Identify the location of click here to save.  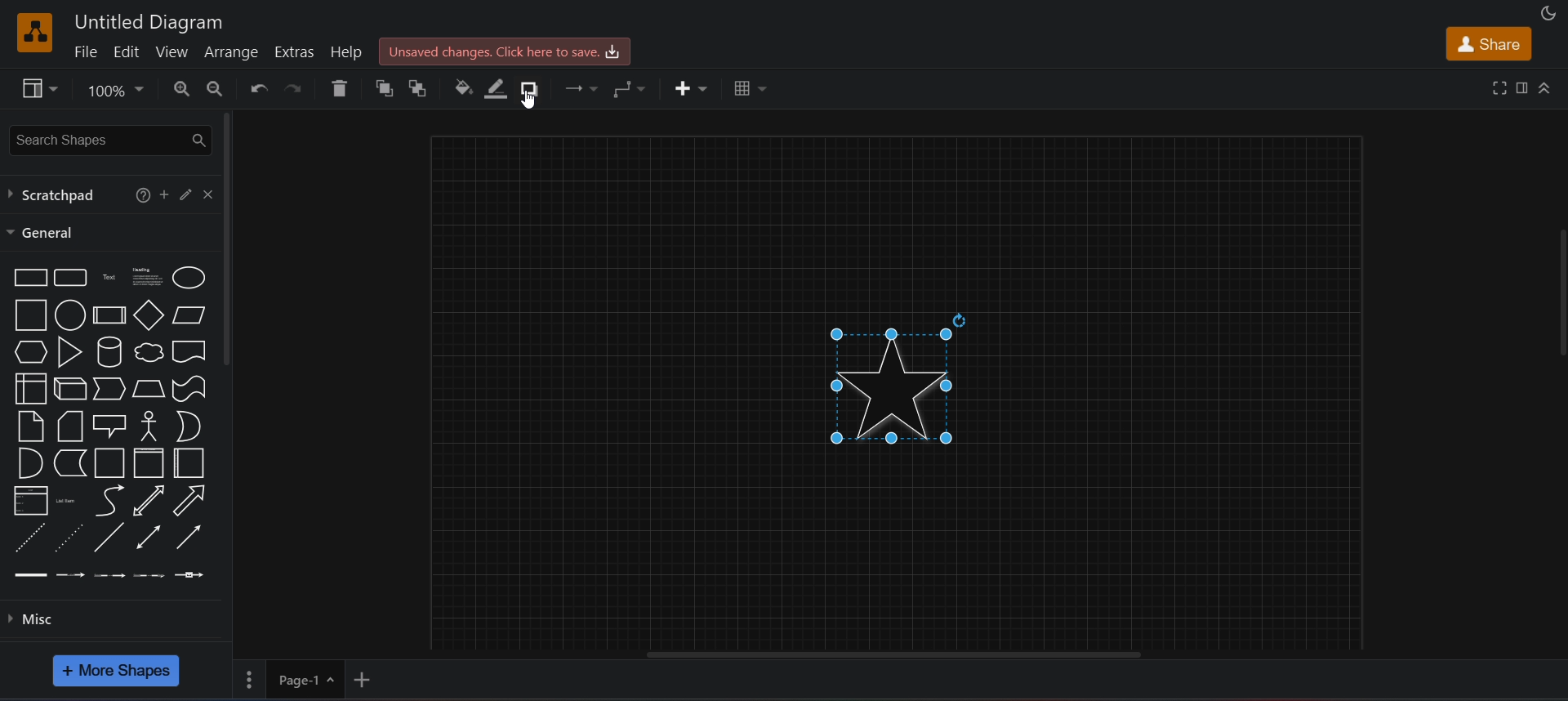
(502, 52).